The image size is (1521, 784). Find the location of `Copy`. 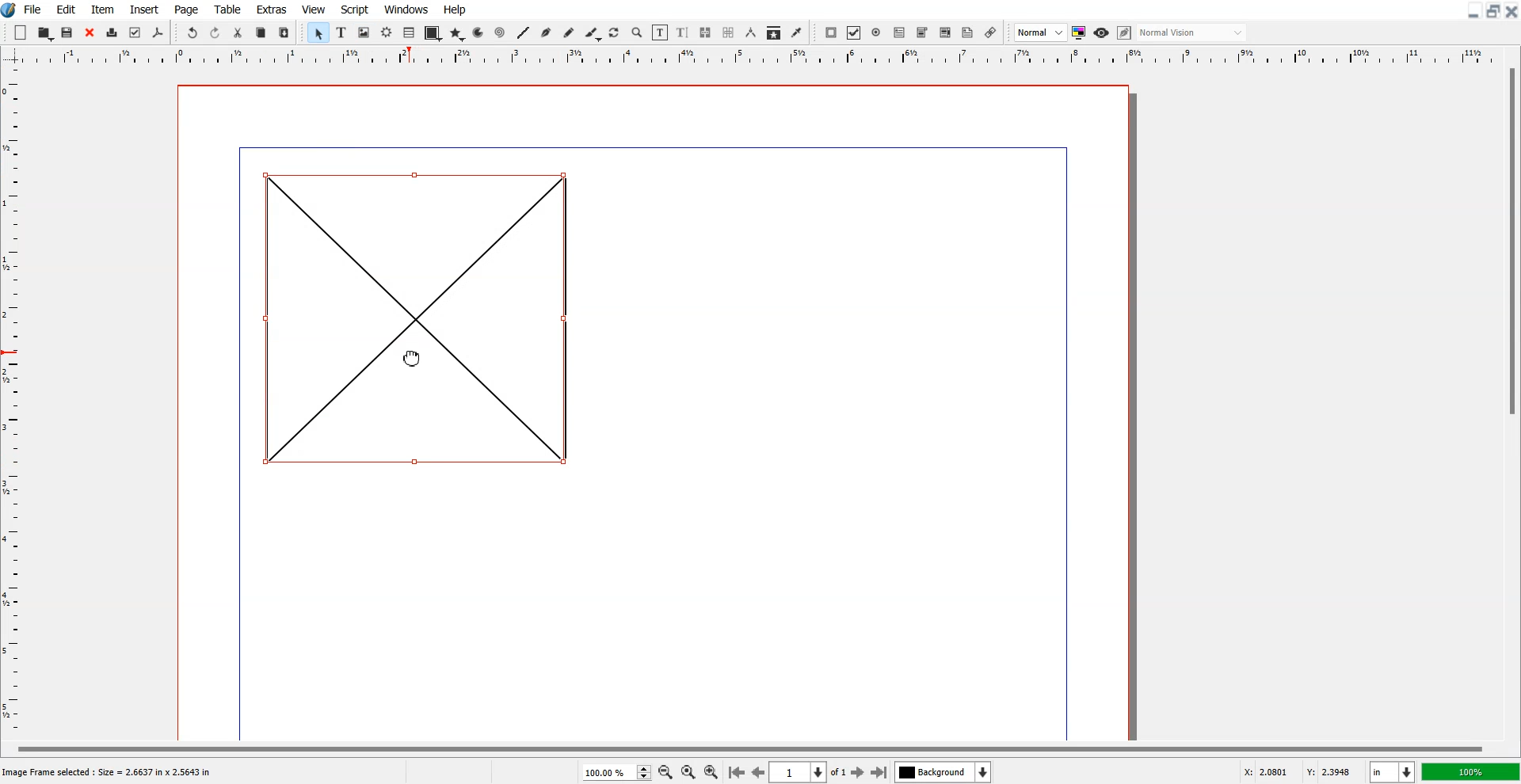

Copy is located at coordinates (261, 32).